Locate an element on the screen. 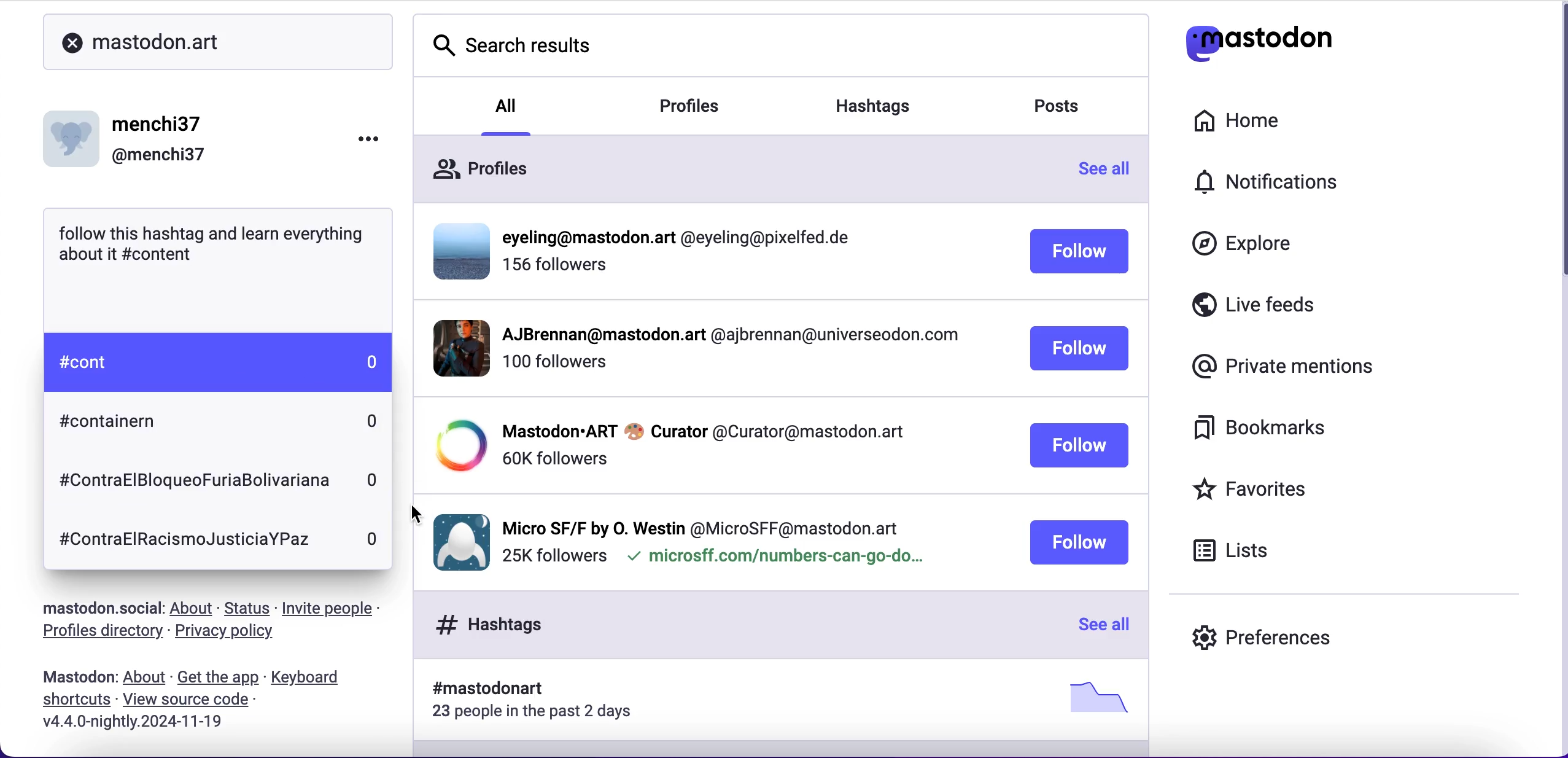  invite people is located at coordinates (340, 608).